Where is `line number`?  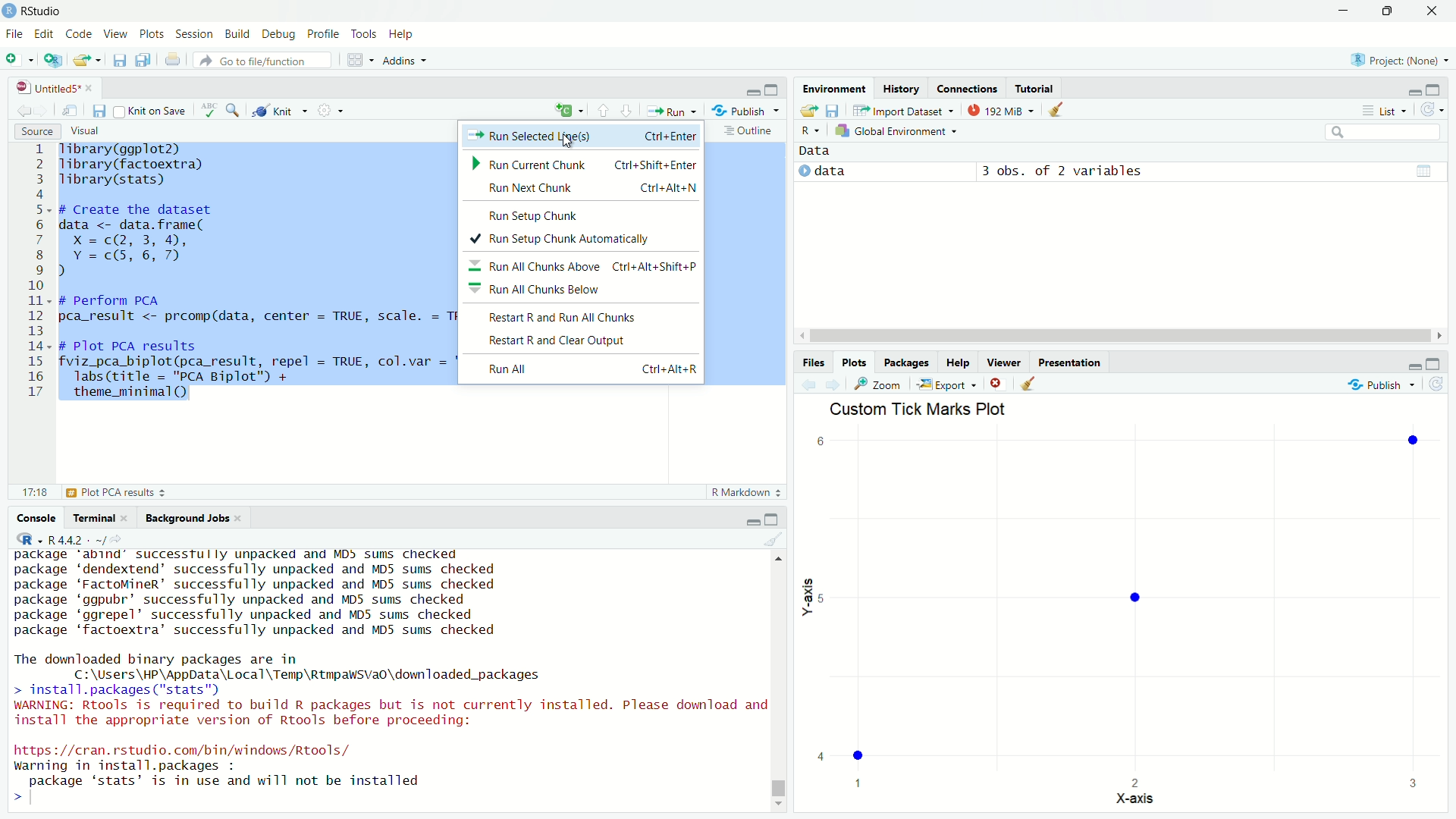 line number is located at coordinates (37, 271).